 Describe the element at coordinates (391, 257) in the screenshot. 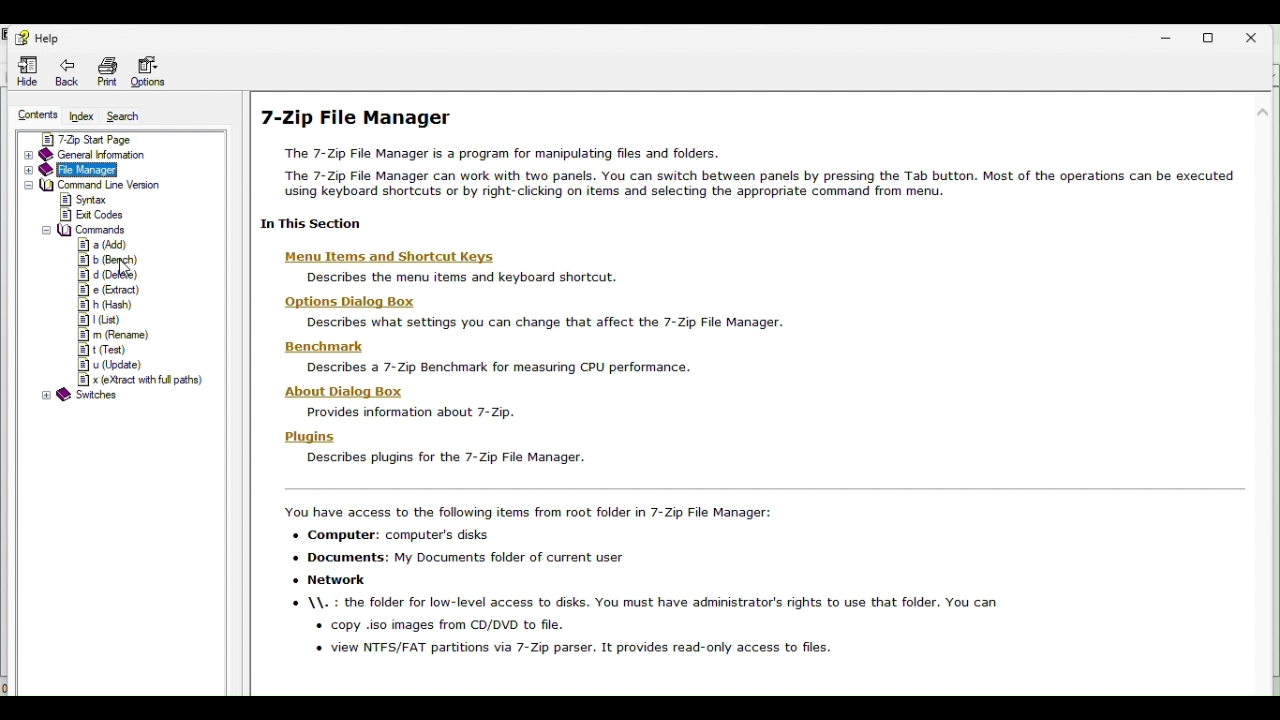

I see `‘Menu Items and Shortcut Keys` at that location.